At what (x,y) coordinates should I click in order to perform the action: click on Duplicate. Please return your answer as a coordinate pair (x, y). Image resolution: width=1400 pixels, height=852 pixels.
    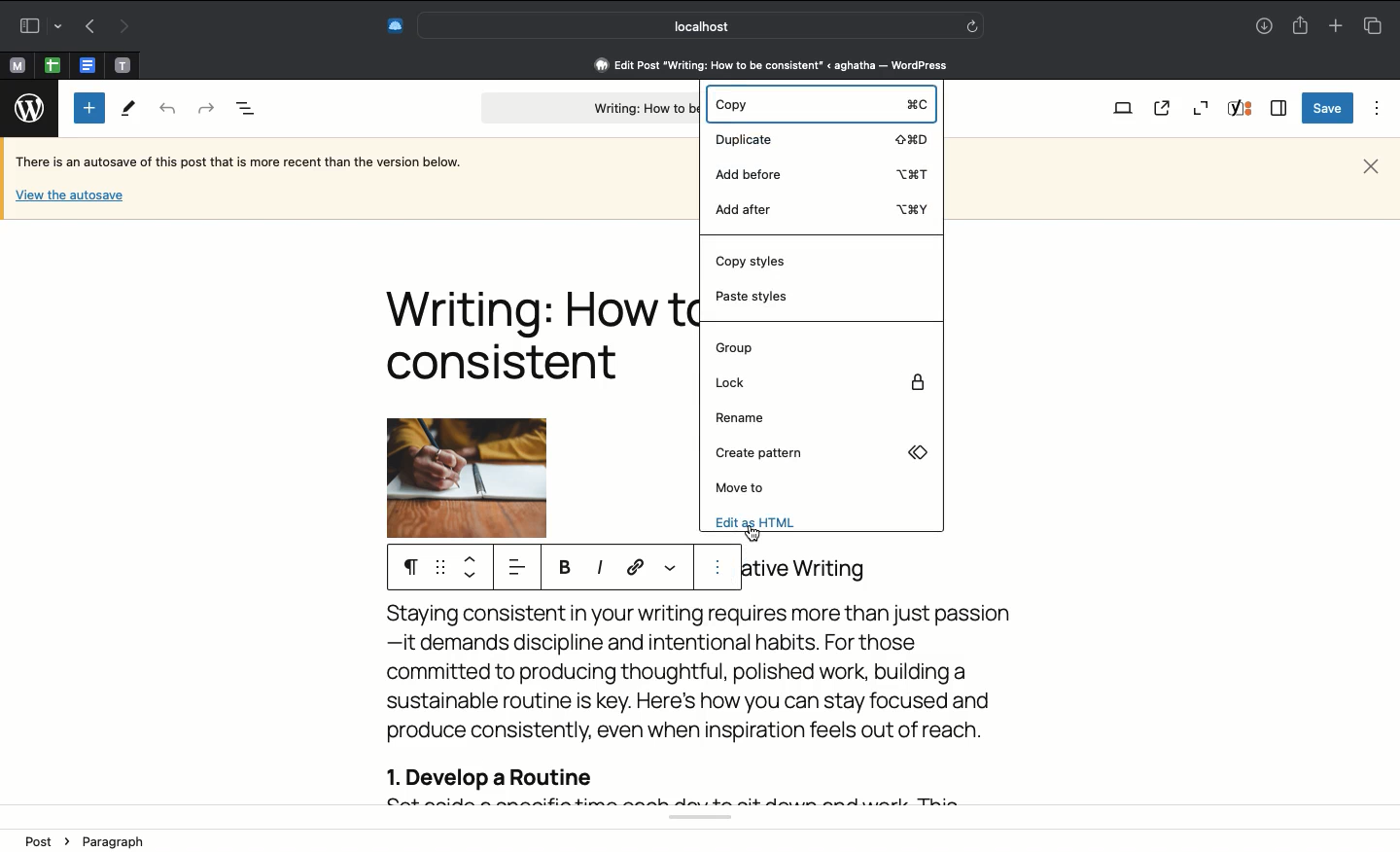
    Looking at the image, I should click on (825, 138).